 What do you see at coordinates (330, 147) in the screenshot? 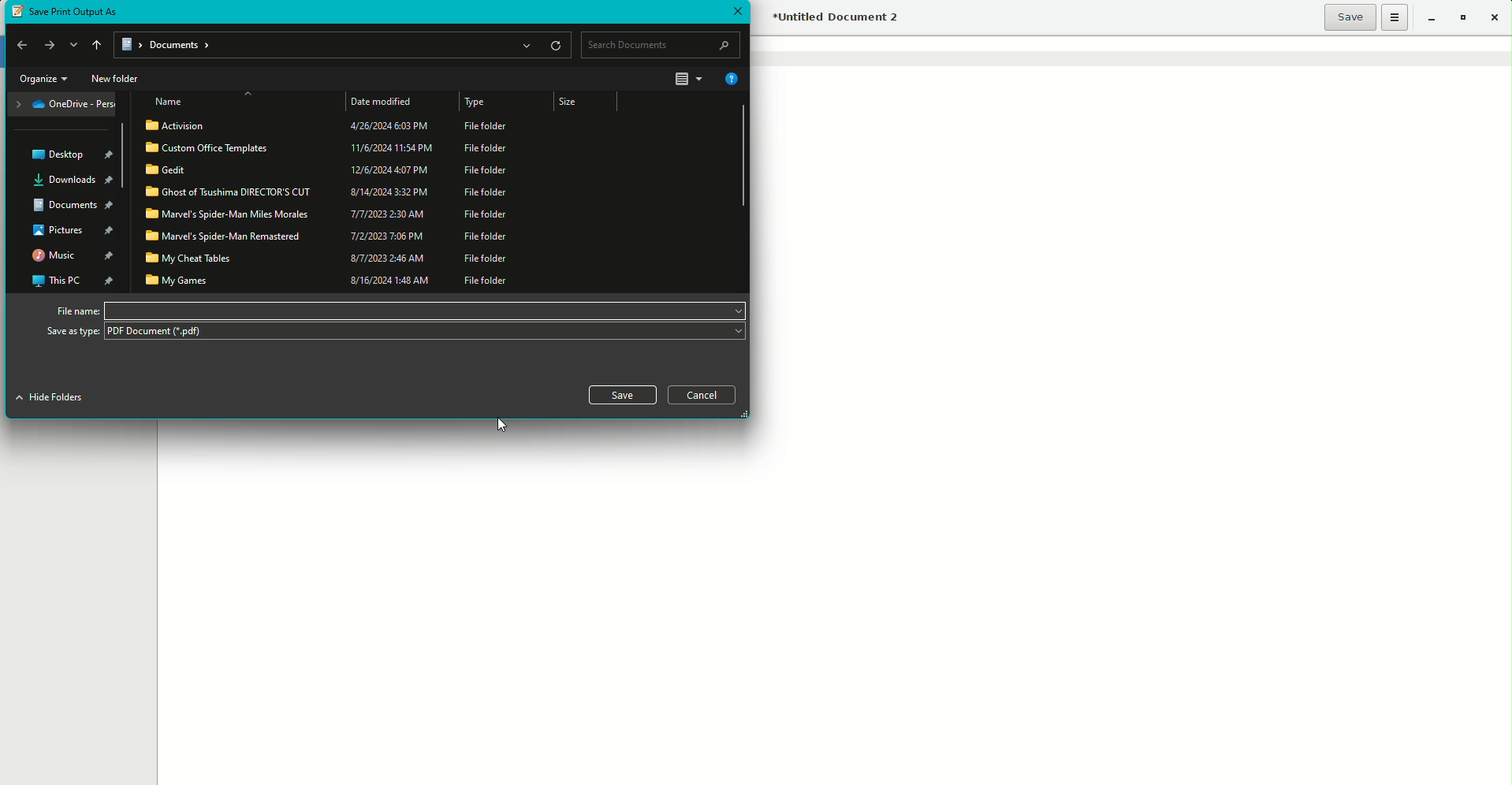
I see `Custom Templates` at bounding box center [330, 147].